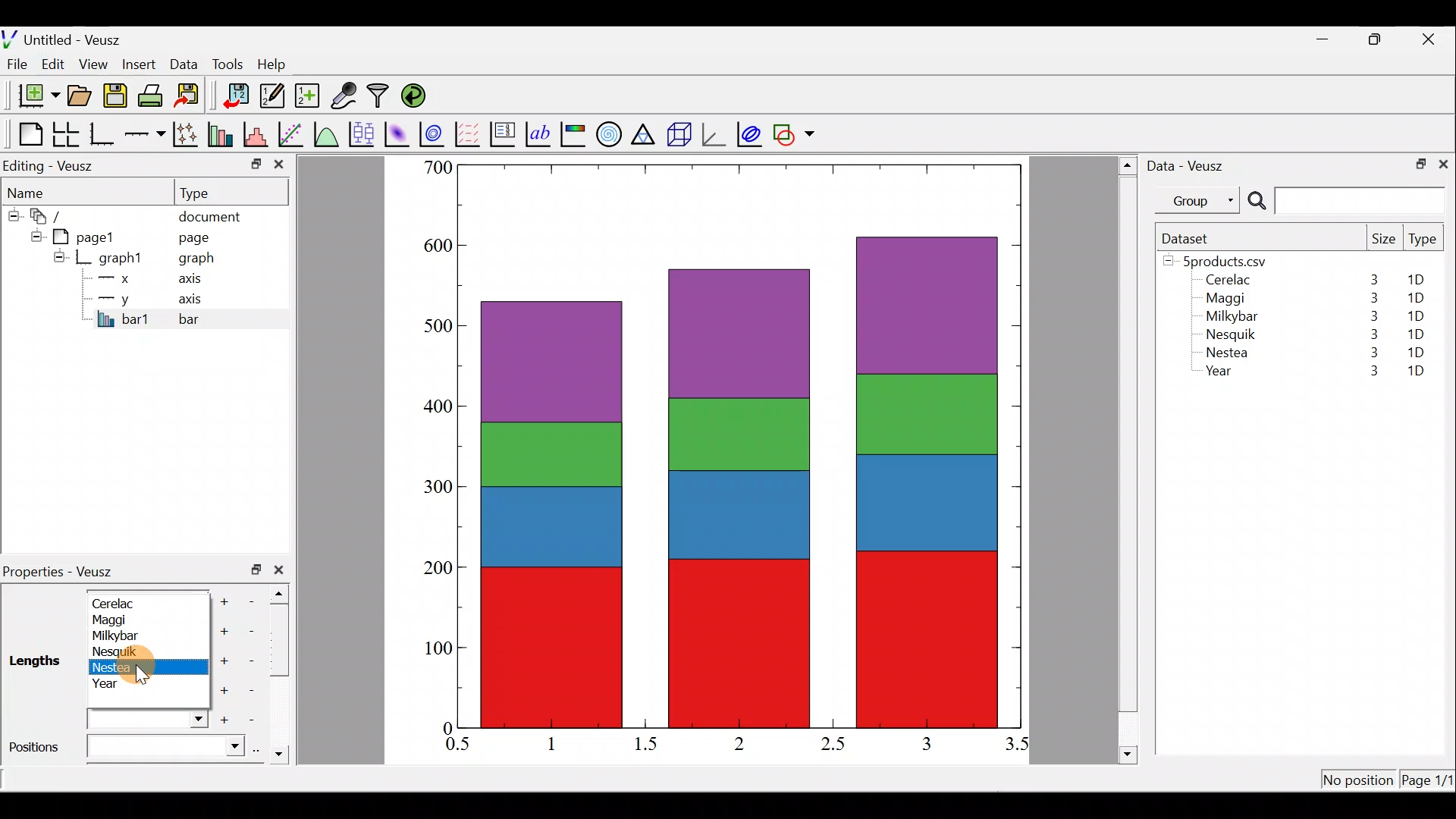  Describe the element at coordinates (36, 661) in the screenshot. I see `Lengths` at that location.